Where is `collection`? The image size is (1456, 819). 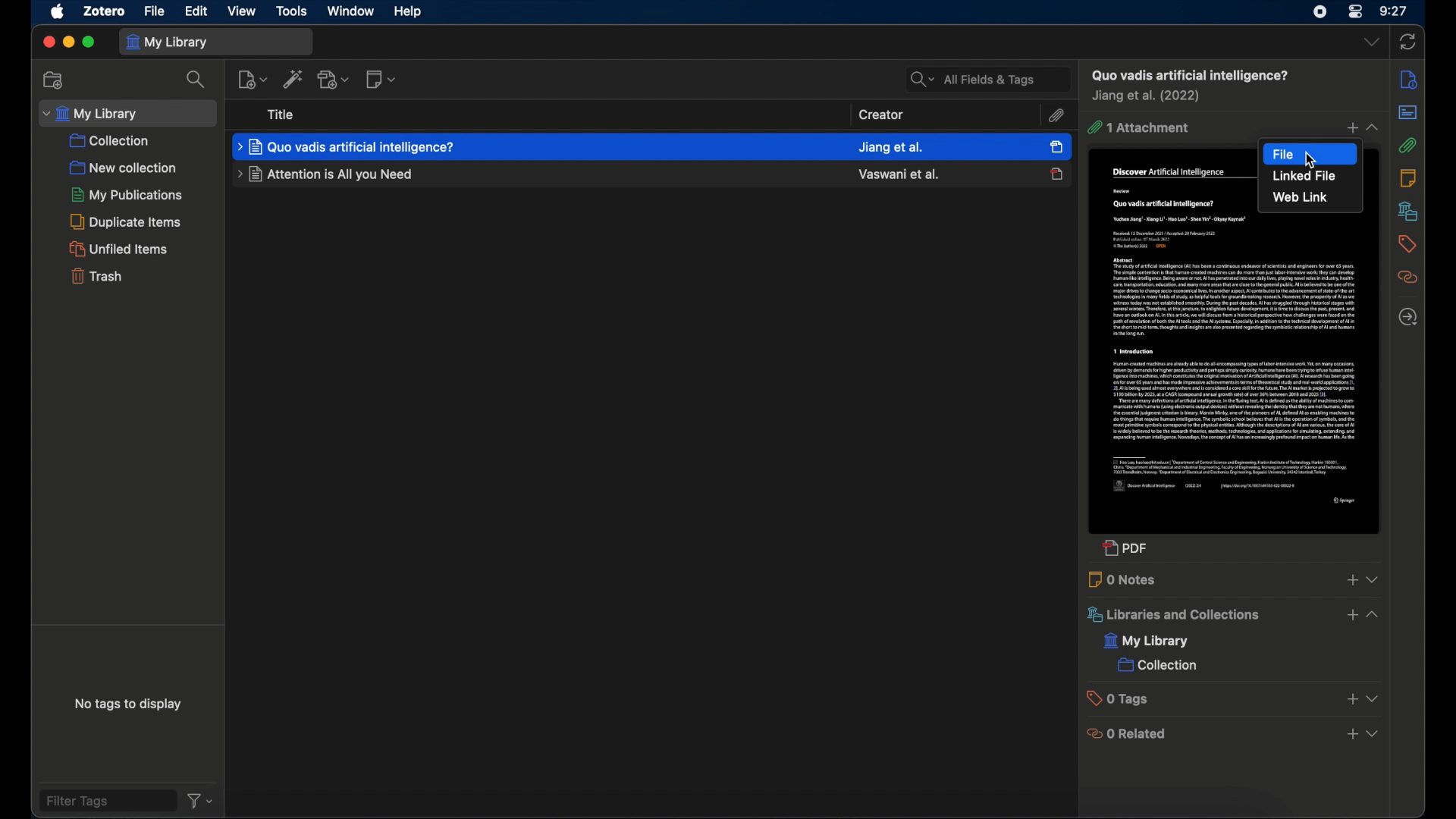 collection is located at coordinates (1156, 667).